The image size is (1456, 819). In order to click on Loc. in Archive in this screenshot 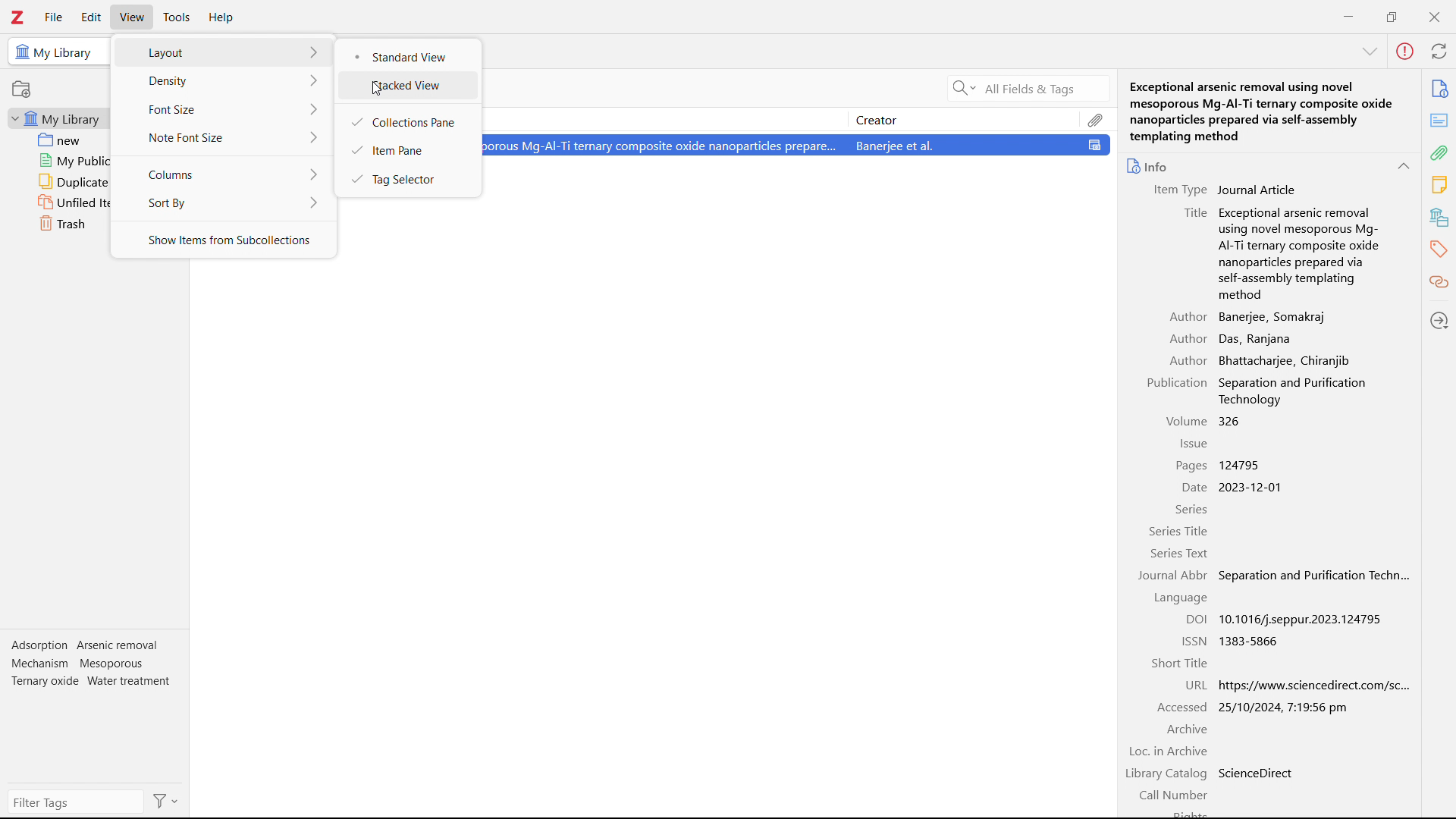, I will do `click(1169, 751)`.